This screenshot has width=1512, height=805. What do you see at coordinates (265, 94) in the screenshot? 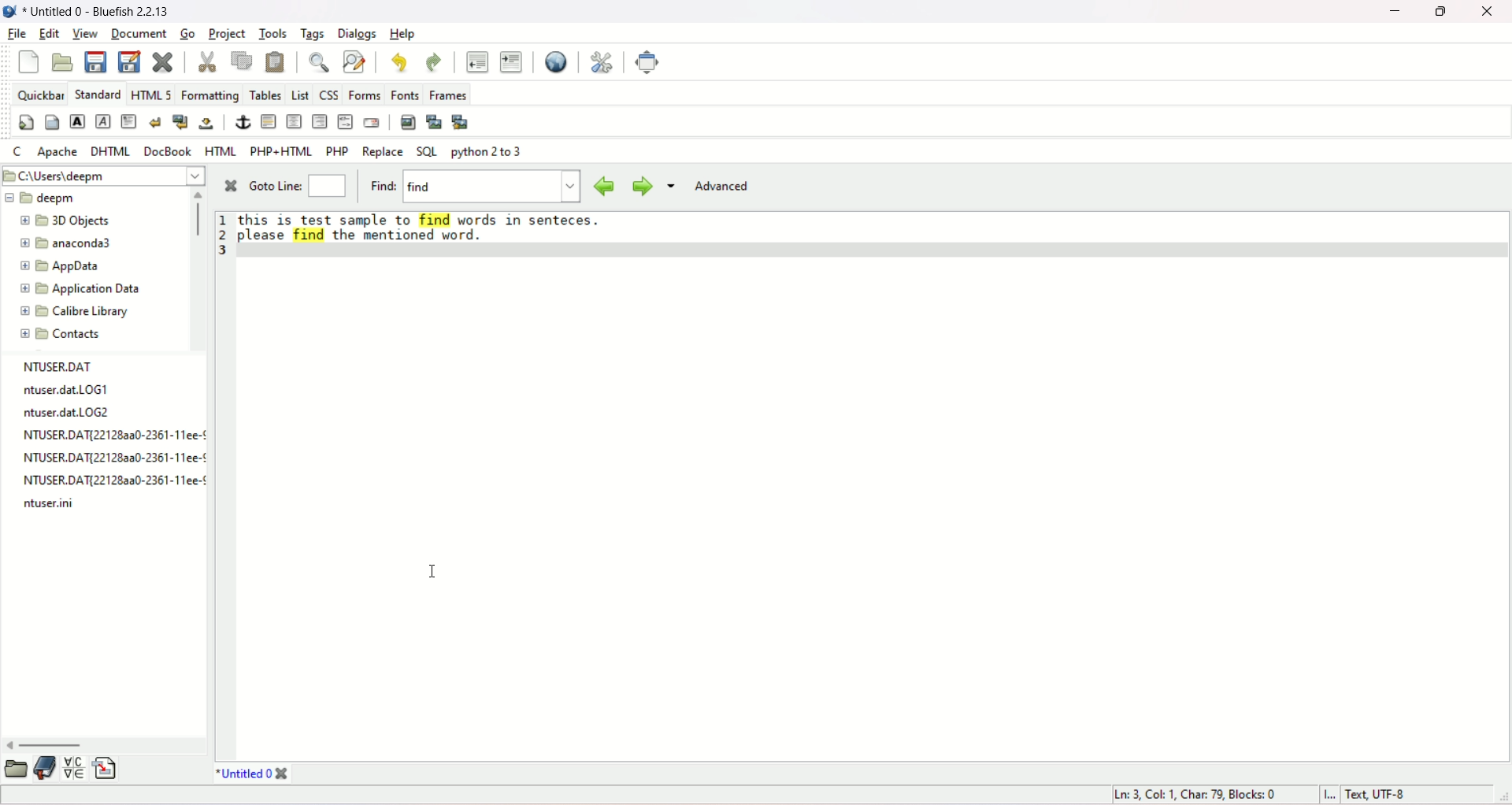
I see `tables` at bounding box center [265, 94].